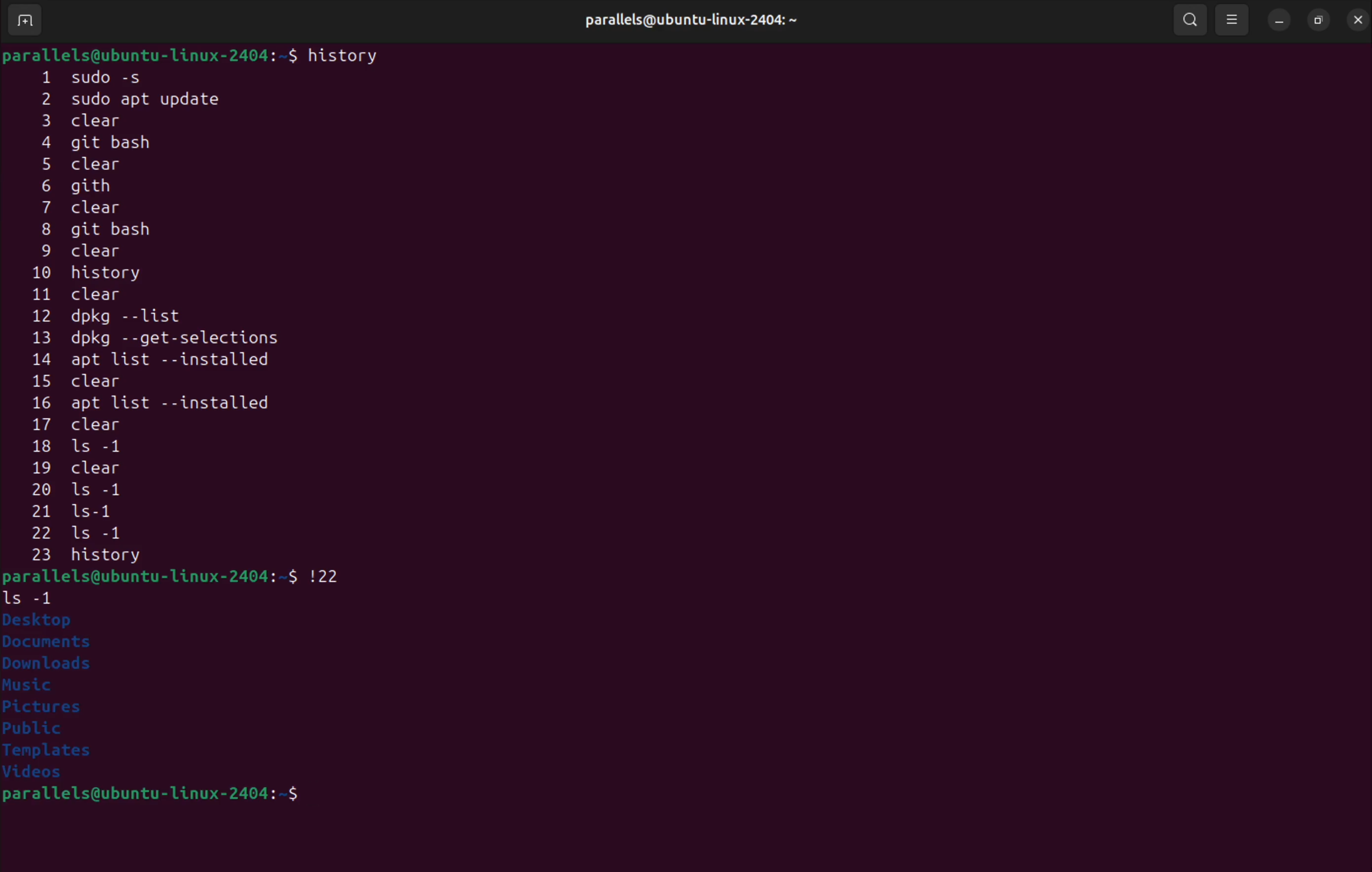 The width and height of the screenshot is (1372, 872). What do you see at coordinates (187, 797) in the screenshot?
I see `bash prompt` at bounding box center [187, 797].